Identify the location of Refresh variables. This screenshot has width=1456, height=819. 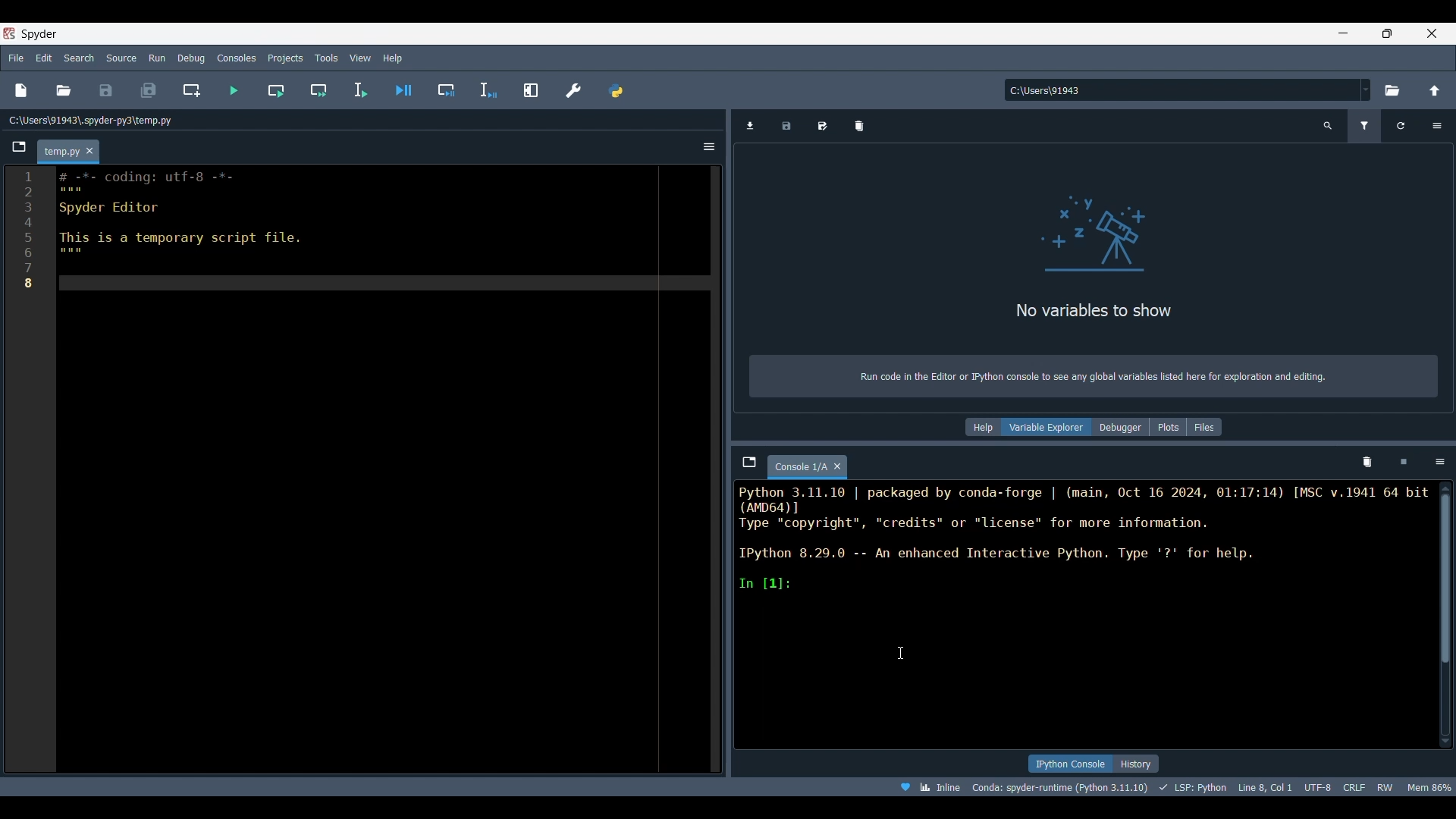
(1401, 126).